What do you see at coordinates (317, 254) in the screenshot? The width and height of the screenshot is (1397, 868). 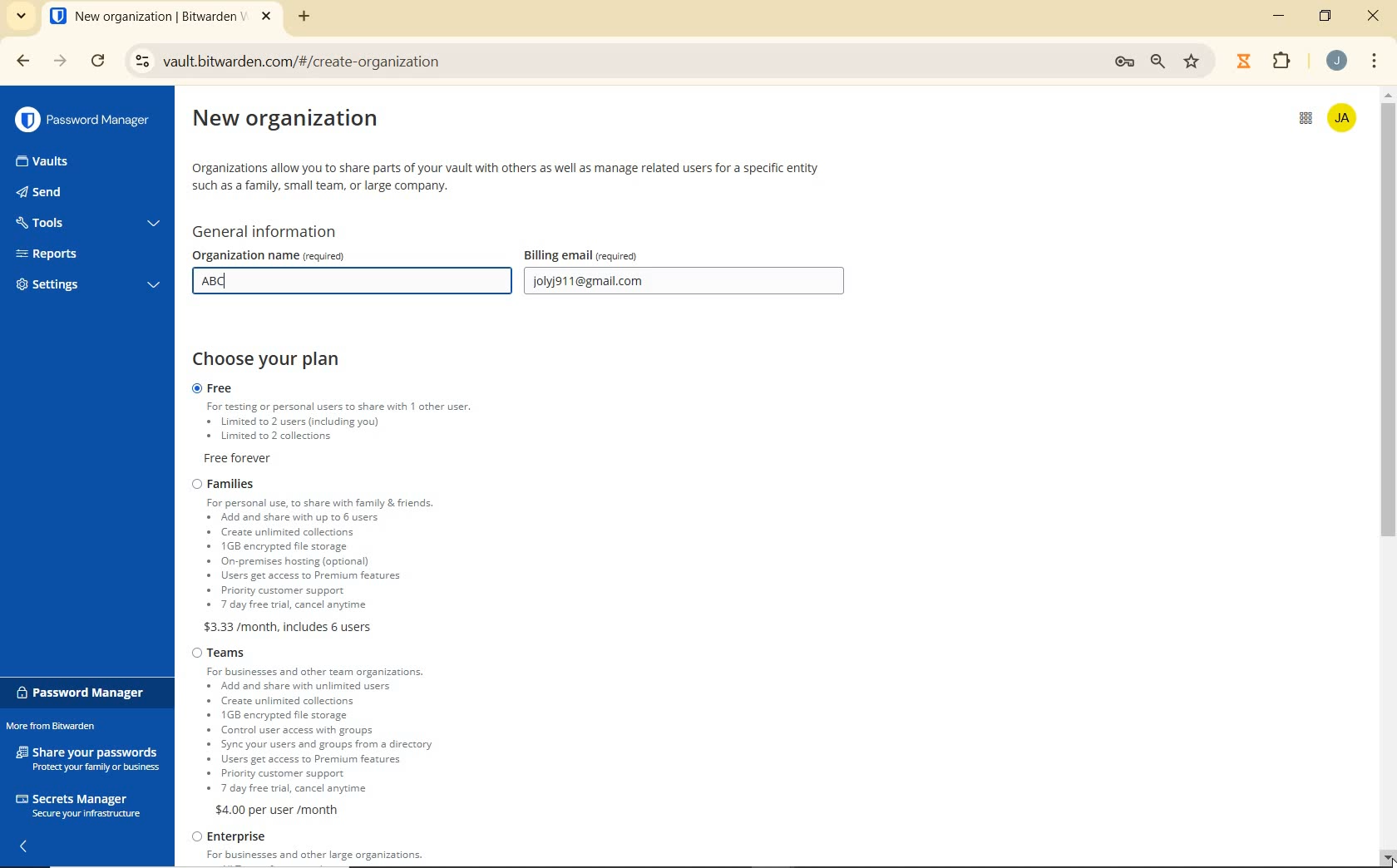 I see `organization name` at bounding box center [317, 254].